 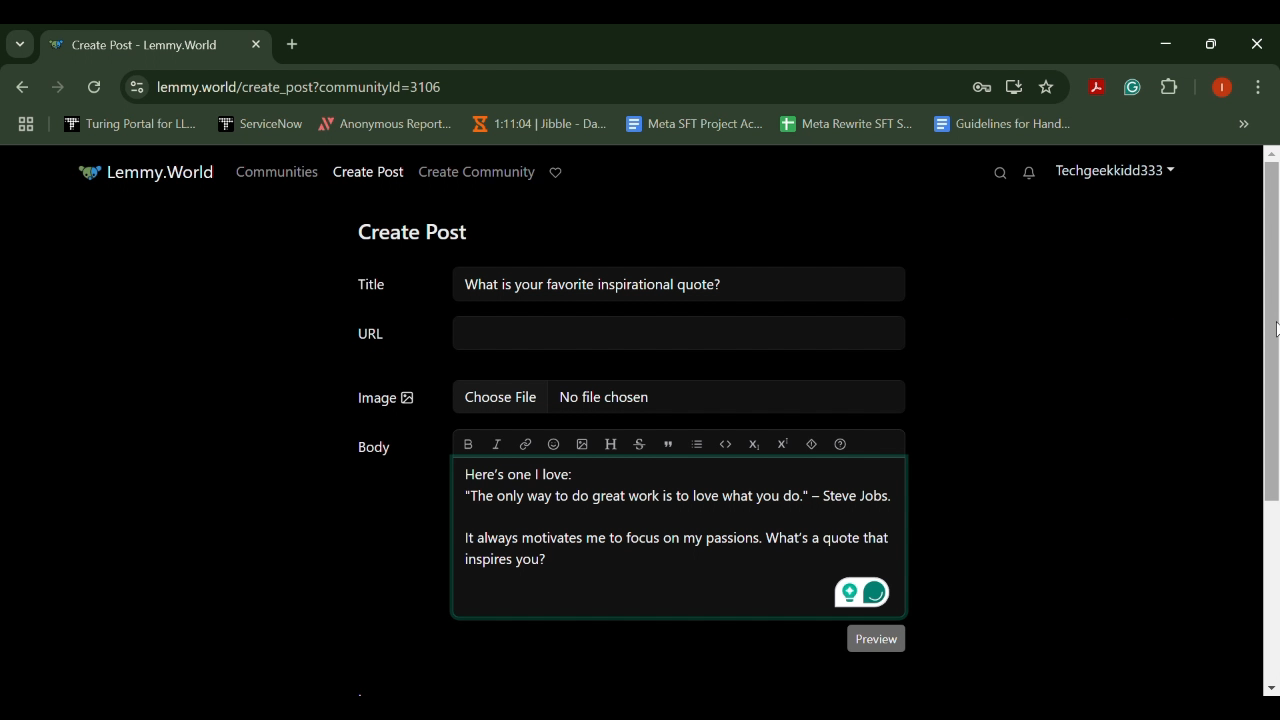 What do you see at coordinates (538, 124) in the screenshot?
I see `1:11:04 | Jibble - Da...` at bounding box center [538, 124].